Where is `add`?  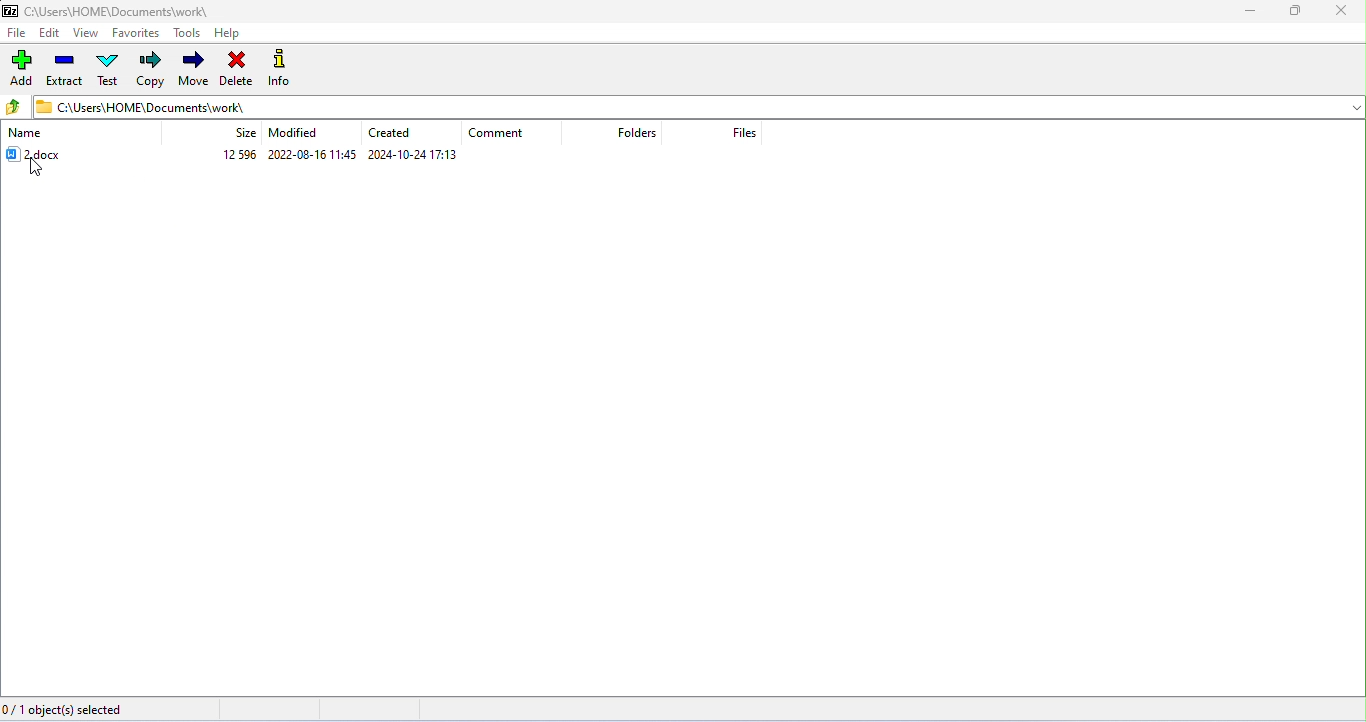 add is located at coordinates (20, 69).